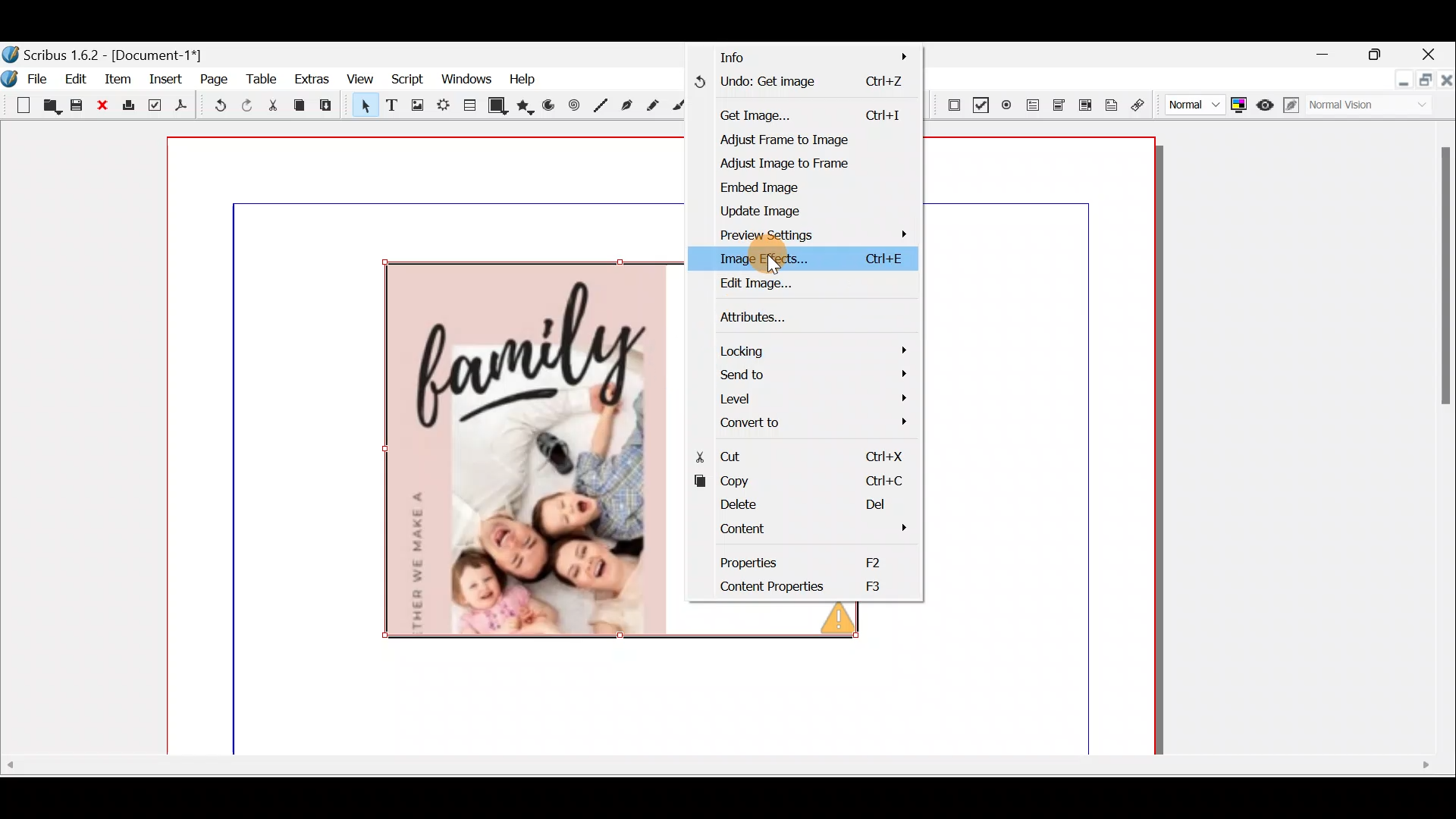 The image size is (1456, 819). What do you see at coordinates (415, 107) in the screenshot?
I see `Image frame` at bounding box center [415, 107].